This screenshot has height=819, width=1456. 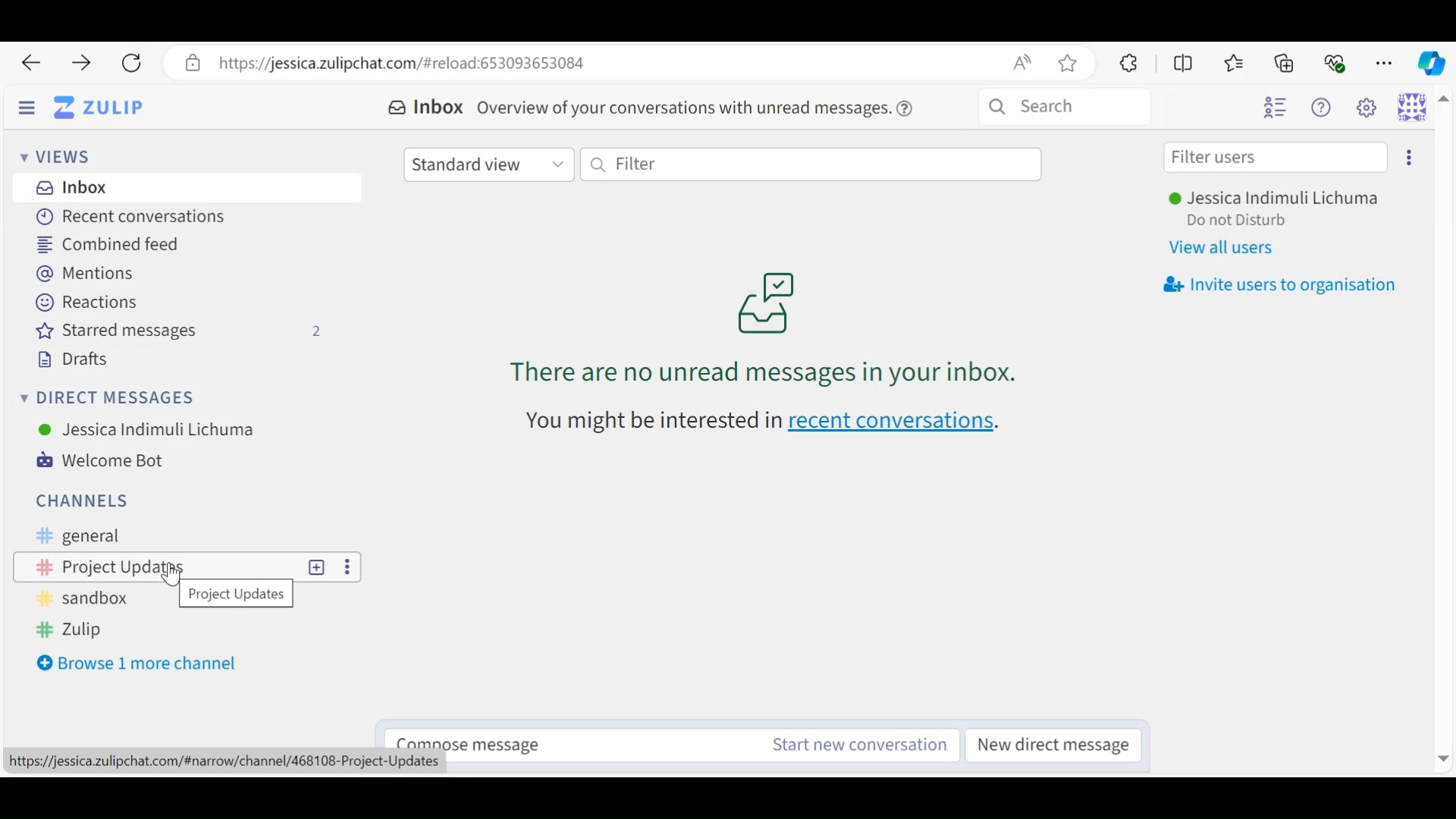 What do you see at coordinates (1370, 108) in the screenshot?
I see `Main menu` at bounding box center [1370, 108].